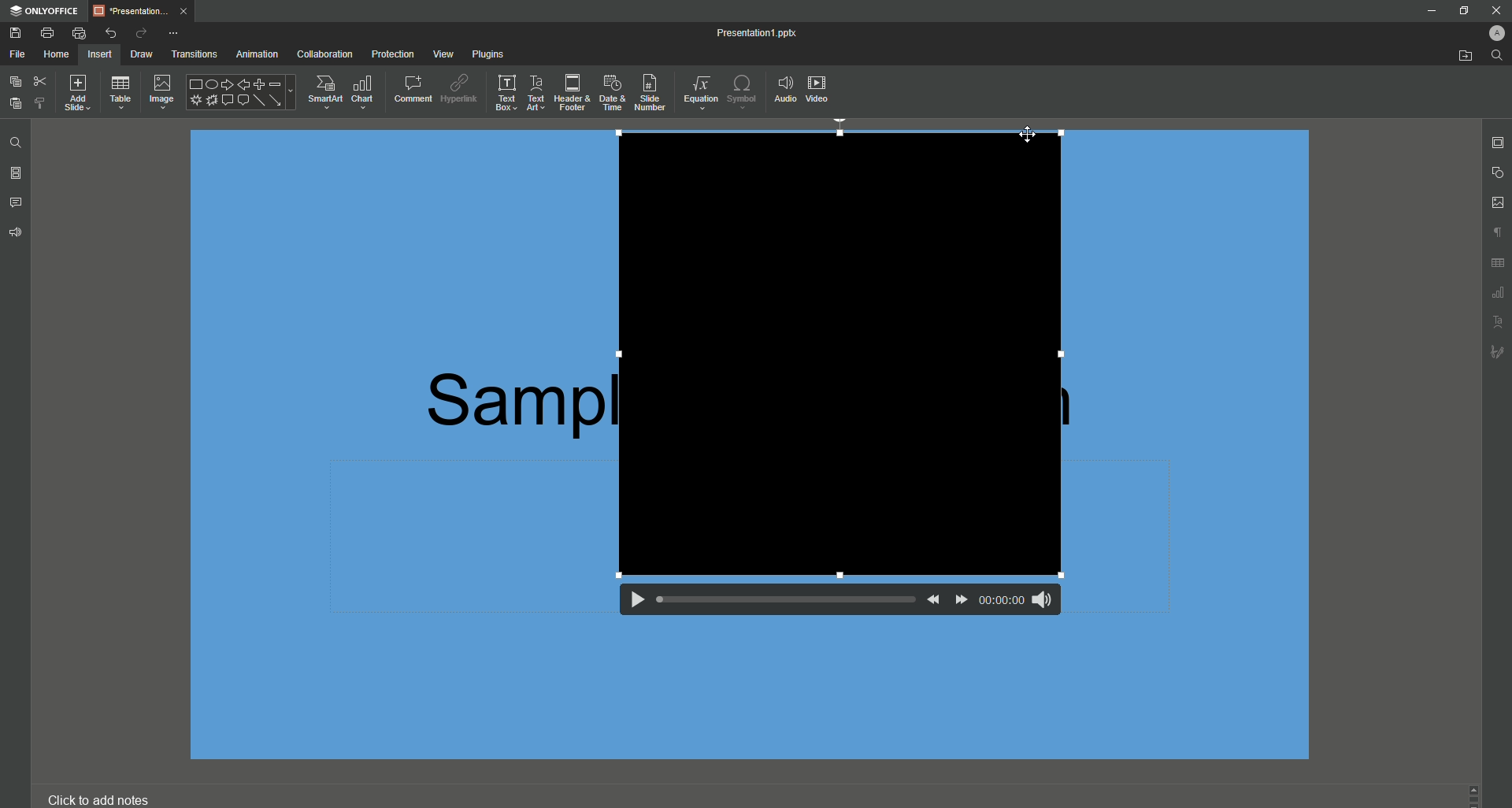 This screenshot has height=808, width=1512. What do you see at coordinates (743, 91) in the screenshot?
I see `Symbol` at bounding box center [743, 91].